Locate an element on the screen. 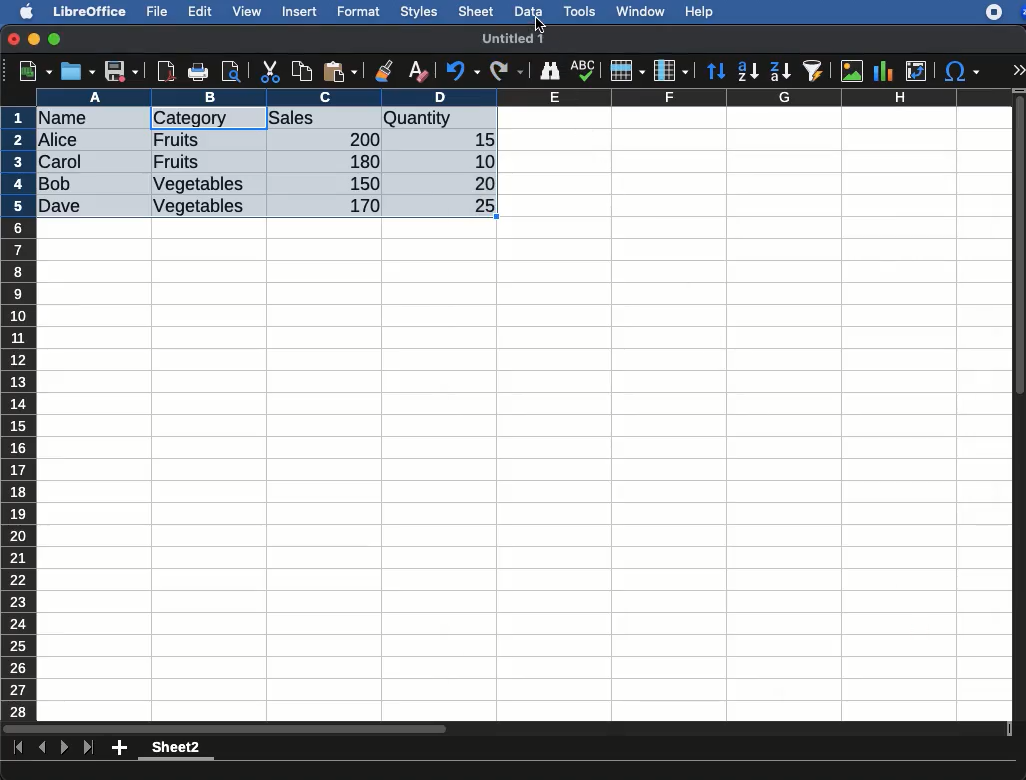 The height and width of the screenshot is (780, 1026). image is located at coordinates (854, 71).